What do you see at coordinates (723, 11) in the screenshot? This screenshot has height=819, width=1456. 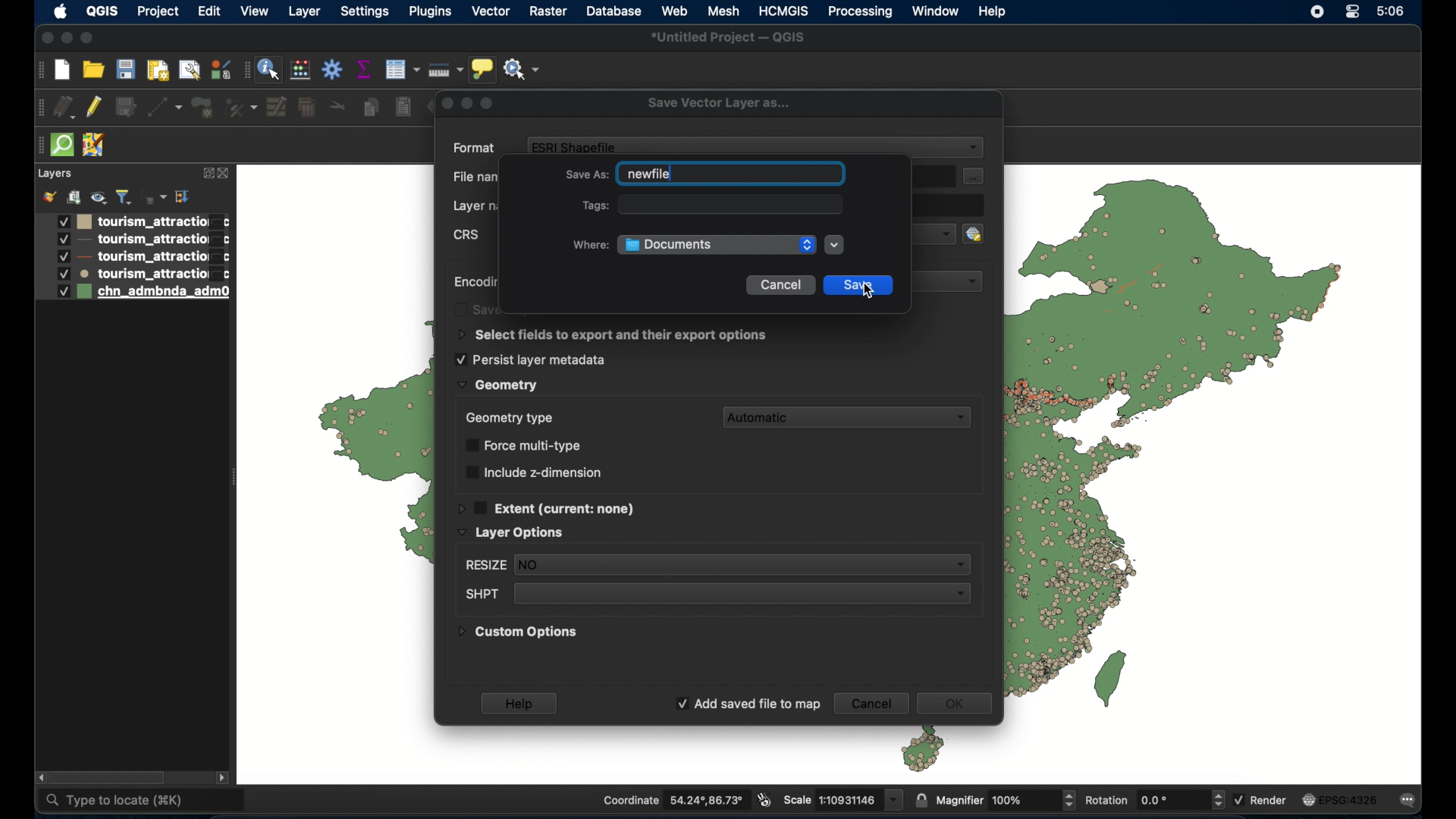 I see `mesh` at bounding box center [723, 11].